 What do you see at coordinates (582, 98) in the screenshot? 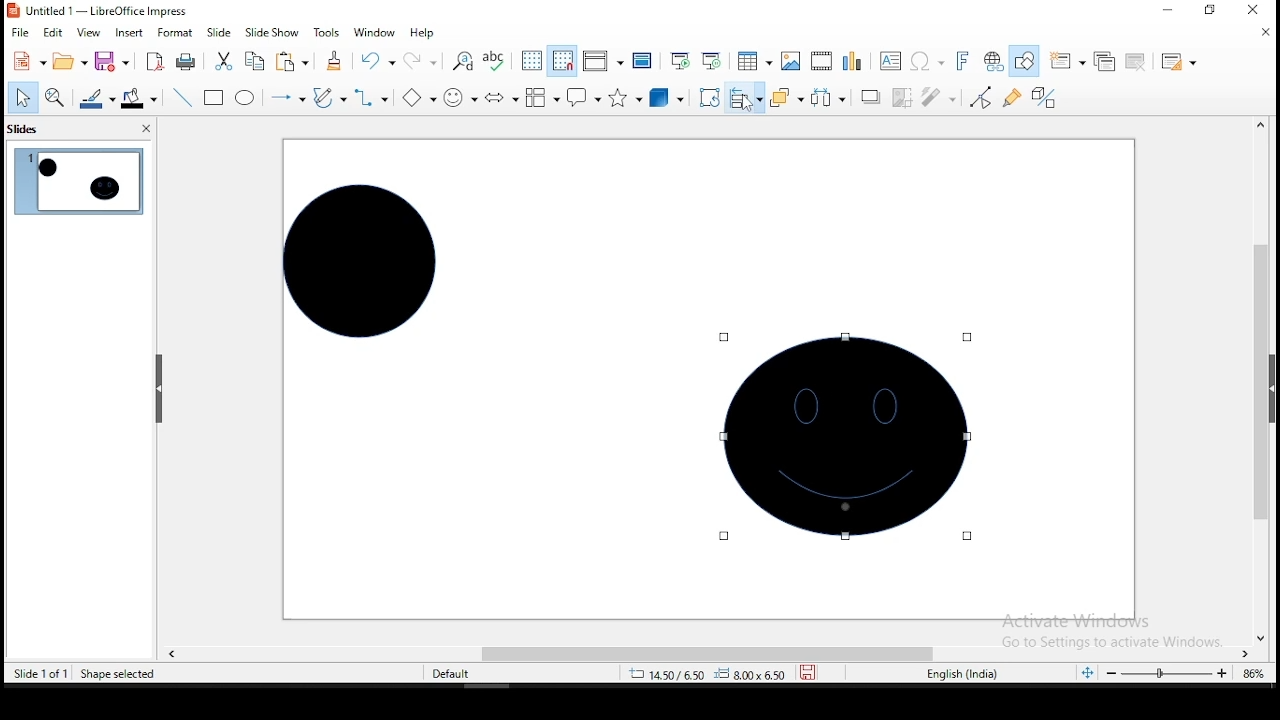
I see `callout shape` at bounding box center [582, 98].